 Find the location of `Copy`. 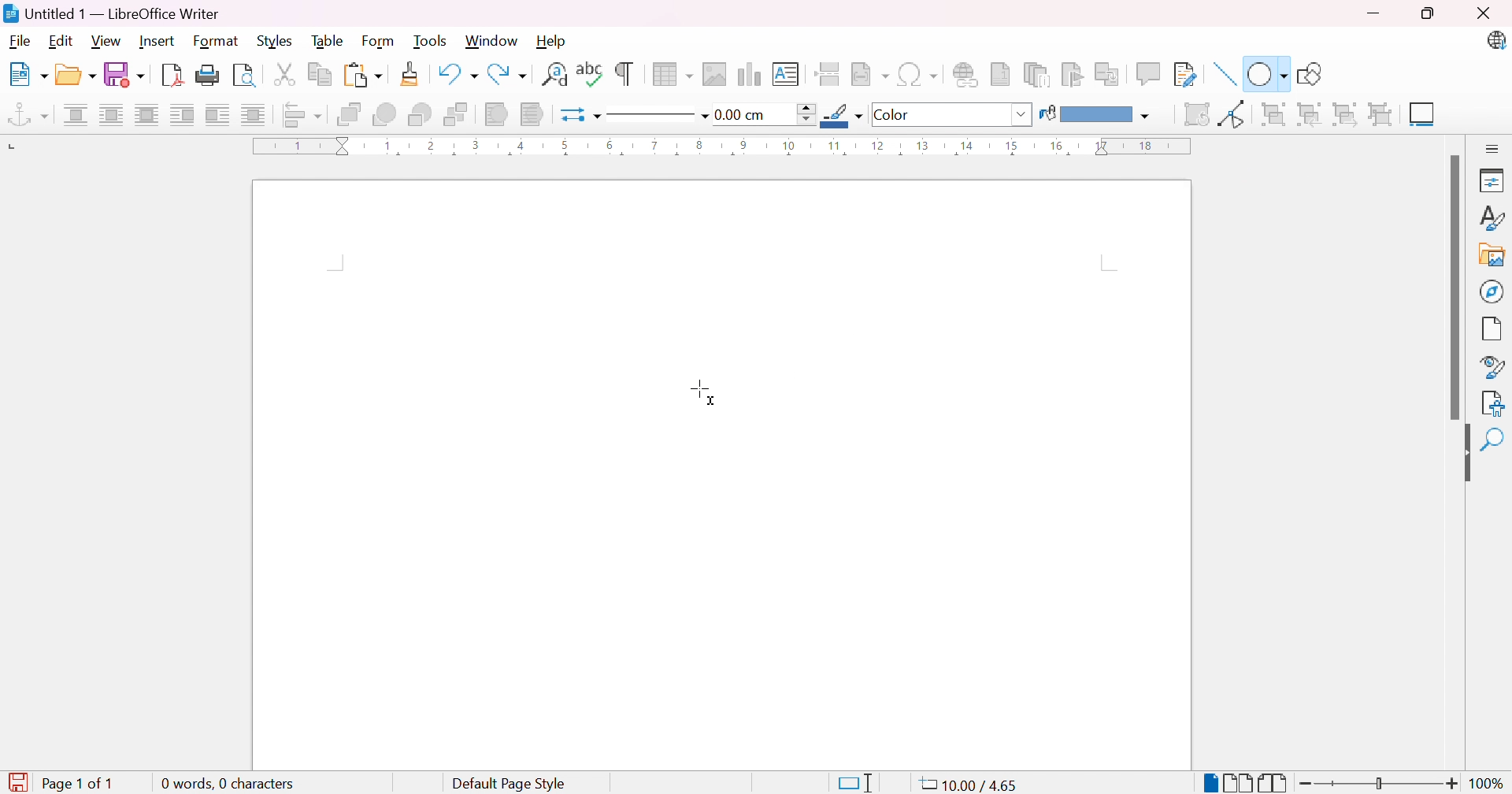

Copy is located at coordinates (321, 76).